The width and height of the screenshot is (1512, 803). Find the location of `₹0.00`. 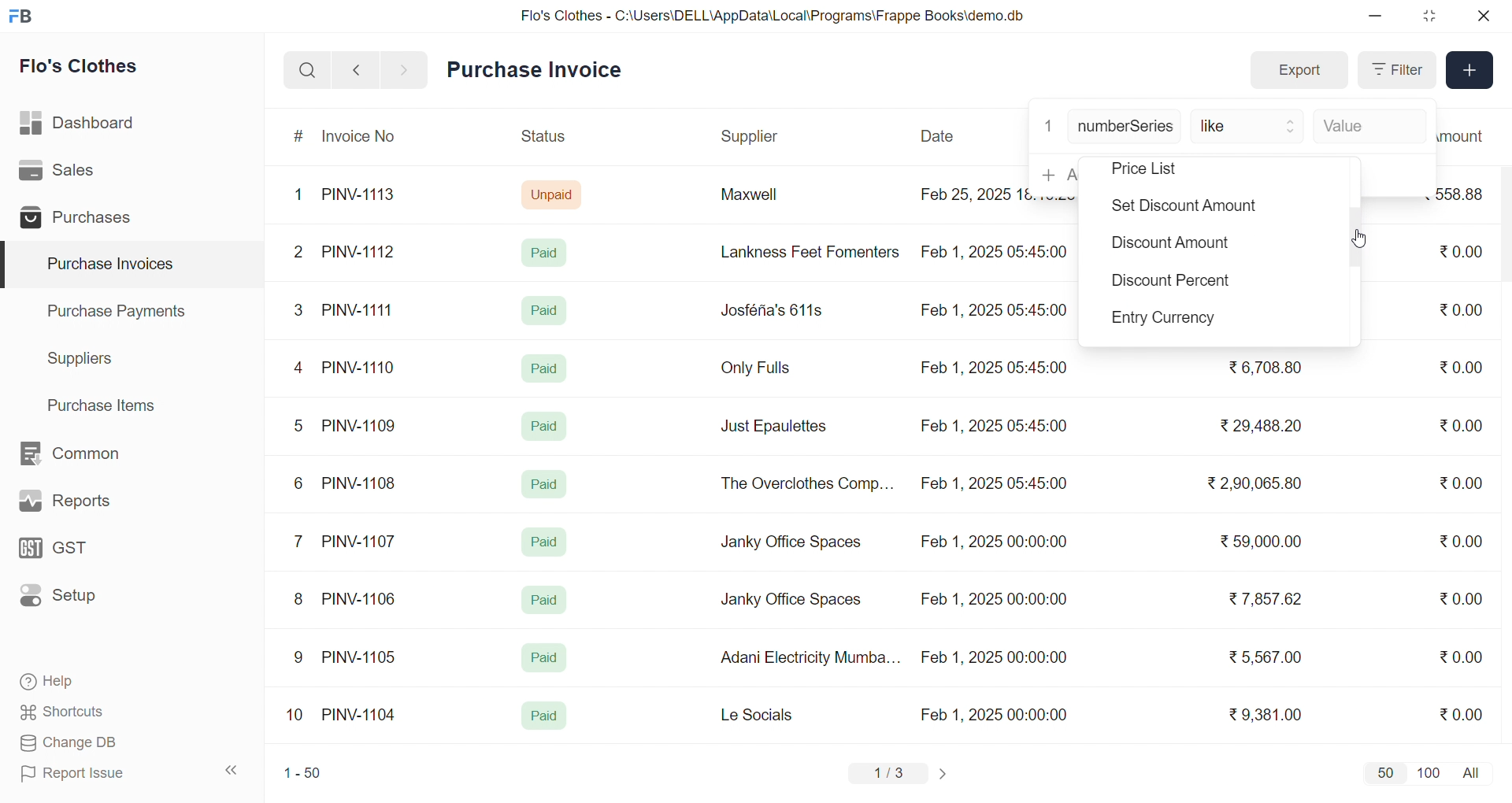

₹0.00 is located at coordinates (1458, 253).